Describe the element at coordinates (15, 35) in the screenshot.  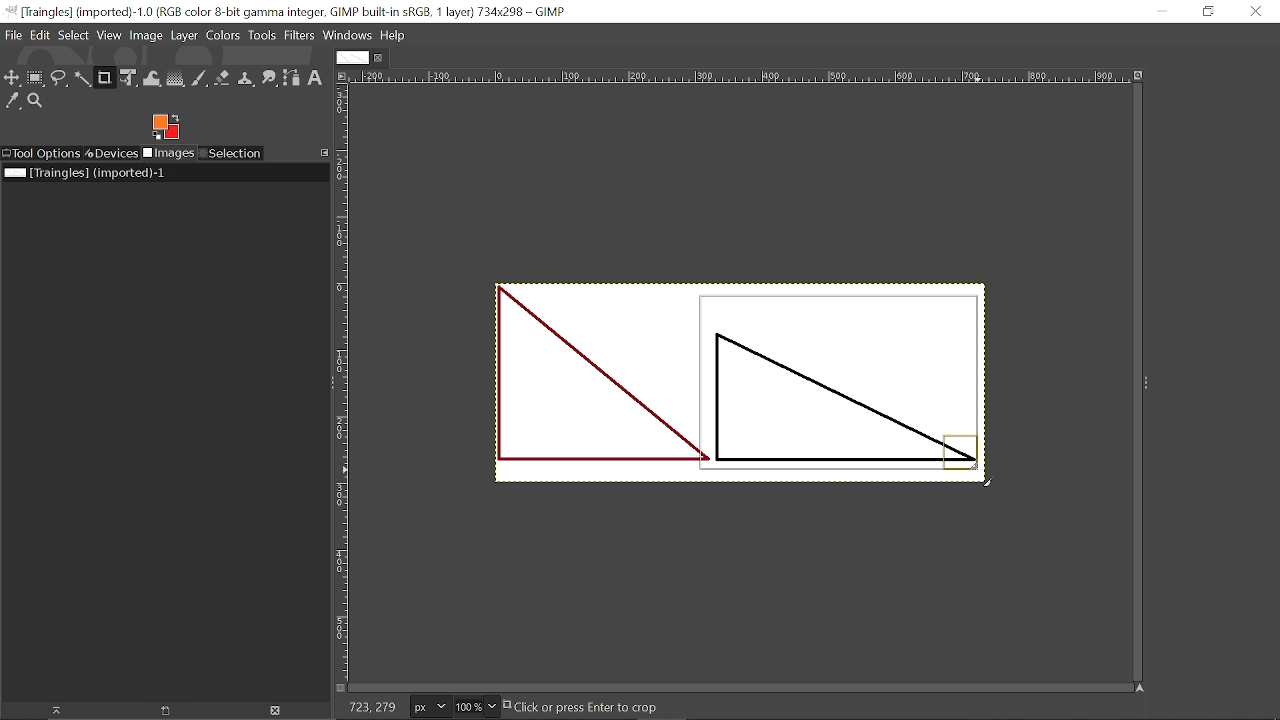
I see `File` at that location.